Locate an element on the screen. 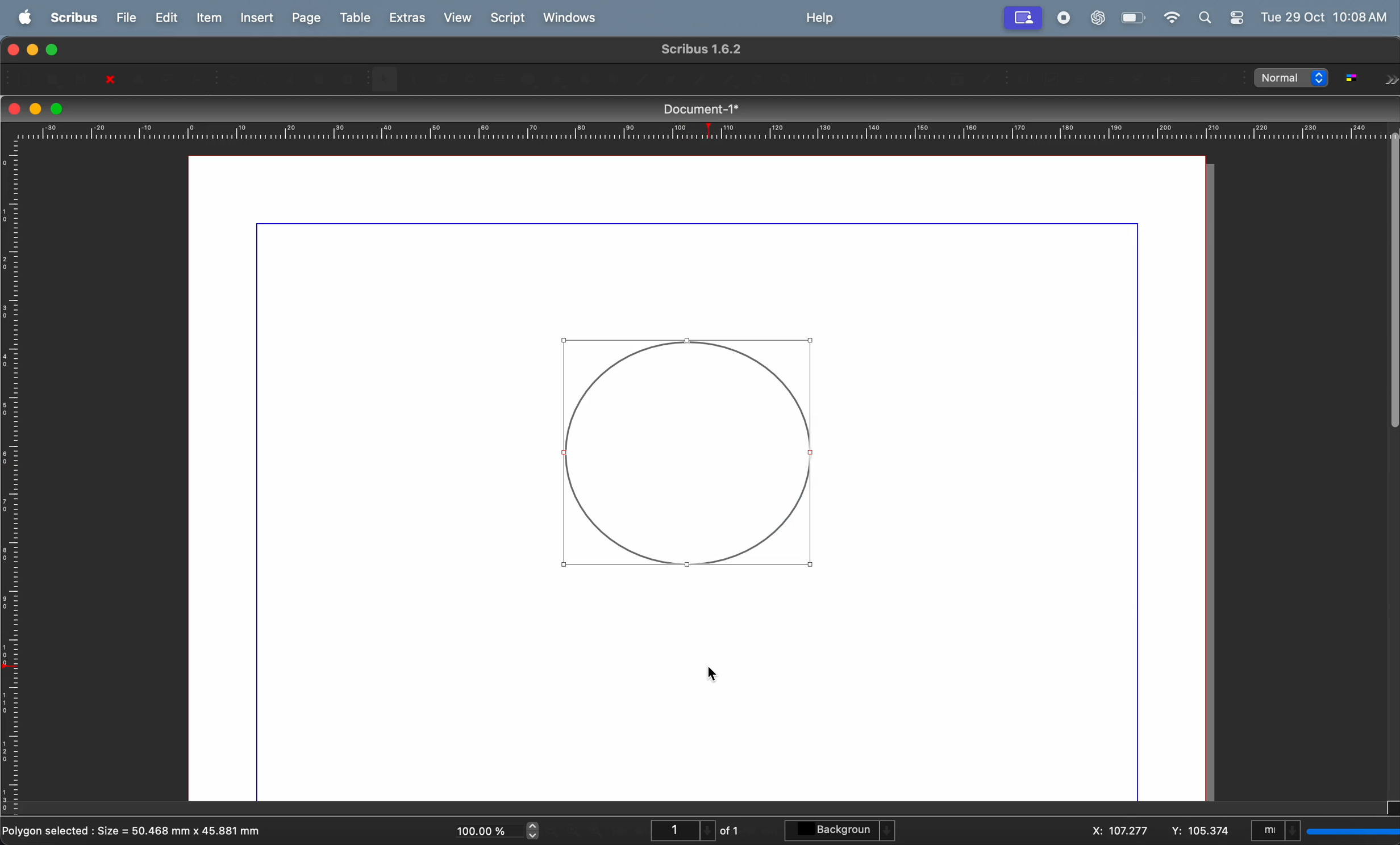 This screenshot has width=1400, height=845. chatgpt is located at coordinates (1098, 18).